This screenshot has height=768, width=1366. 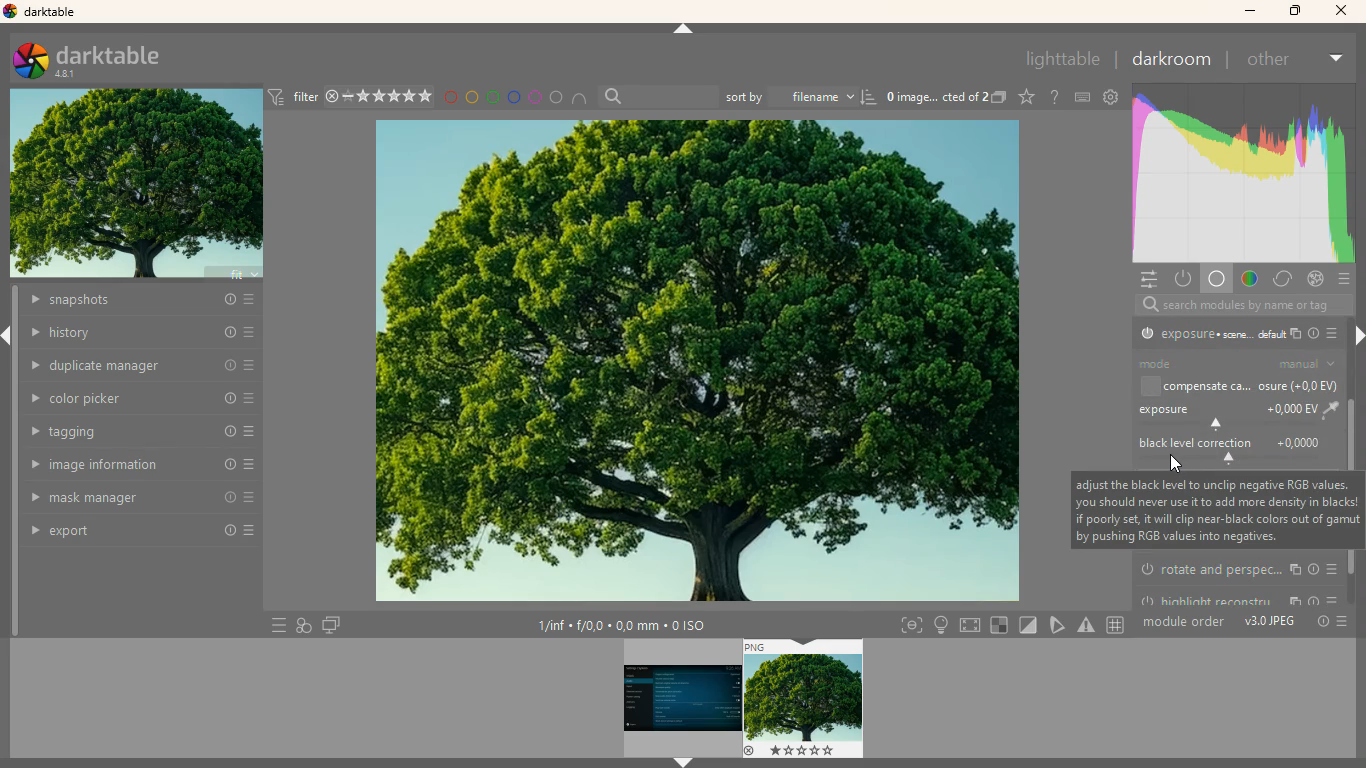 I want to click on module order, so click(x=1184, y=624).